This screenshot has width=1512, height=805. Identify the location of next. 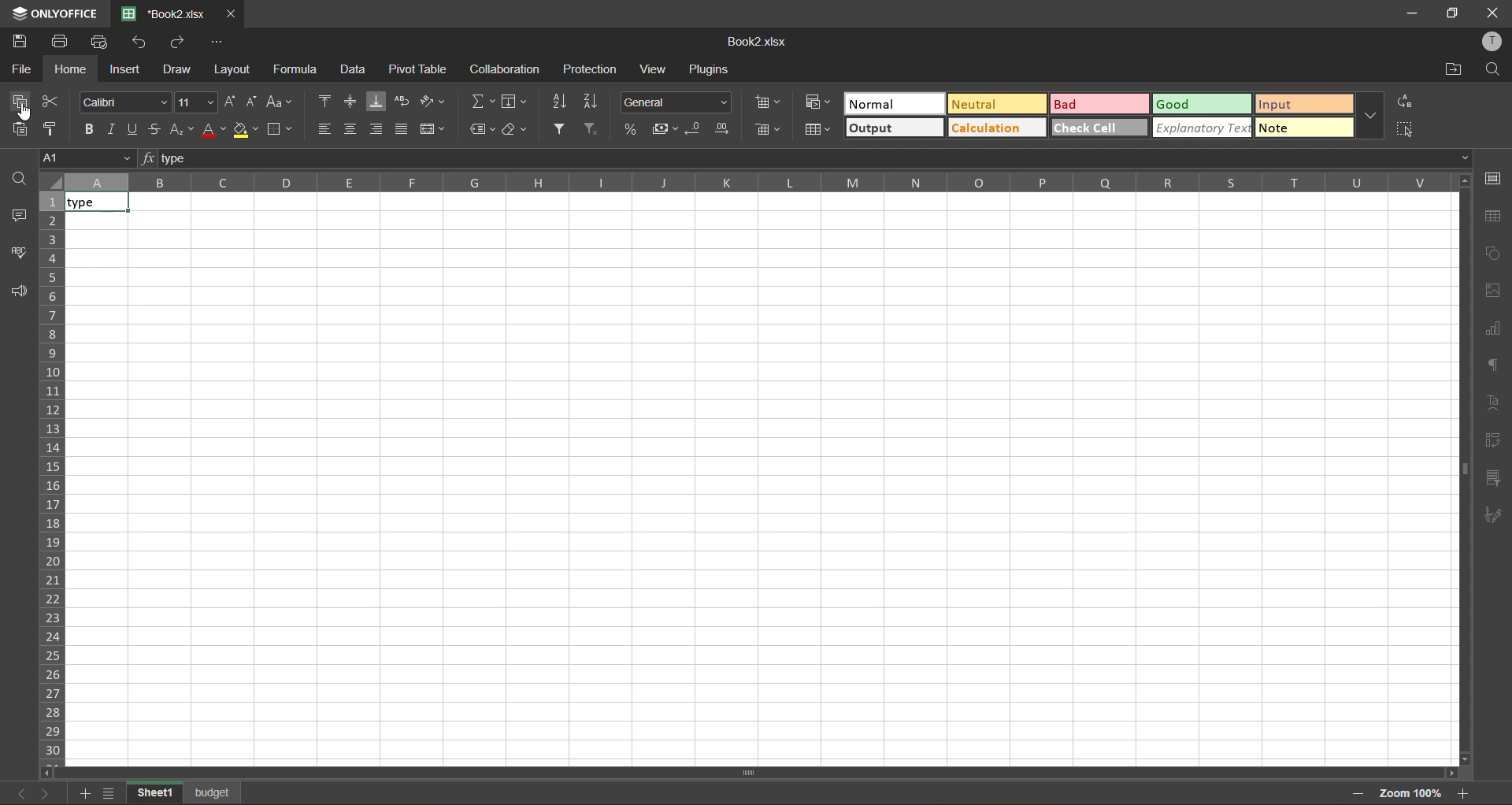
(50, 793).